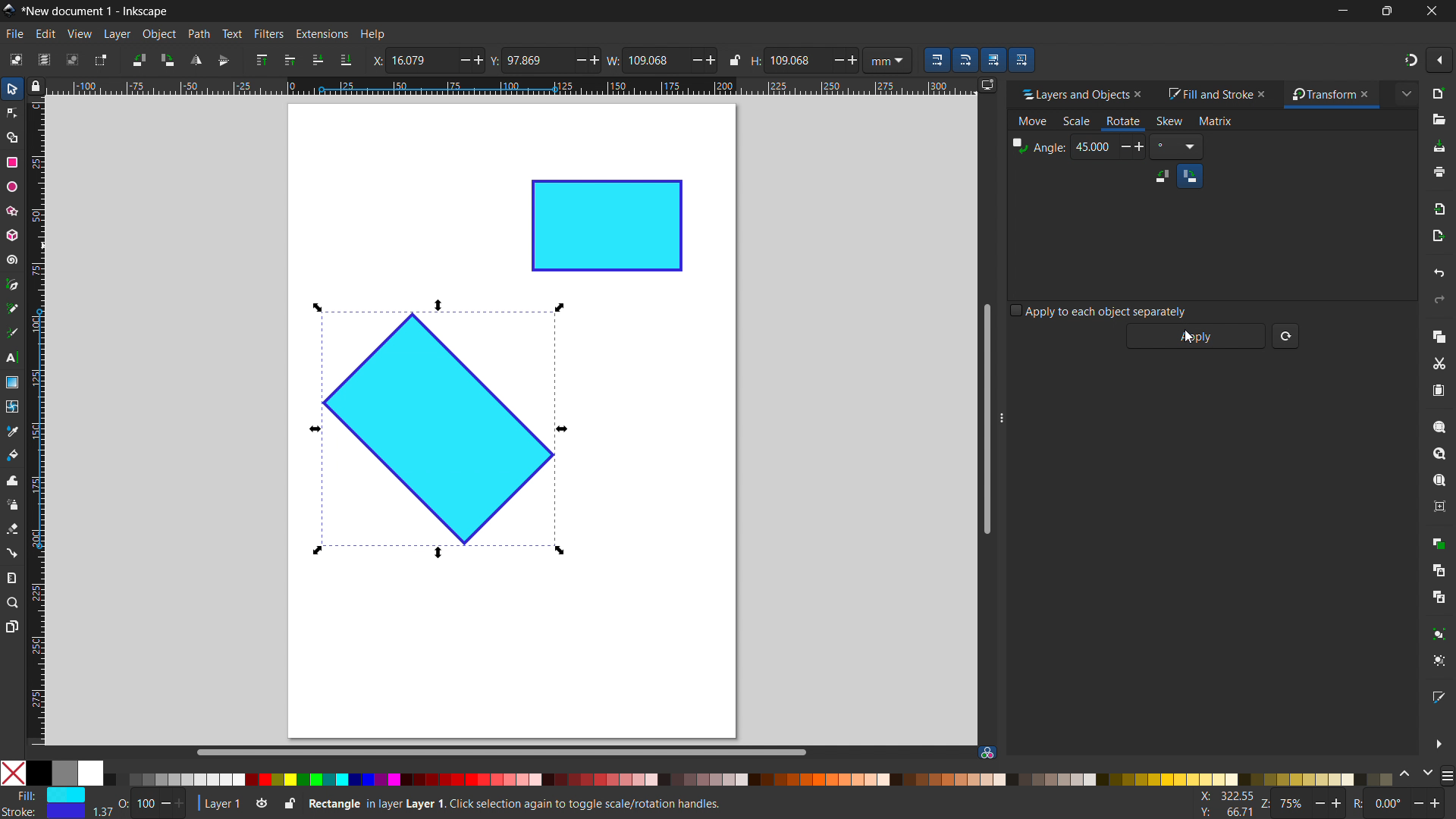 Image resolution: width=1456 pixels, height=819 pixels. What do you see at coordinates (46, 795) in the screenshot?
I see `Fill` at bounding box center [46, 795].